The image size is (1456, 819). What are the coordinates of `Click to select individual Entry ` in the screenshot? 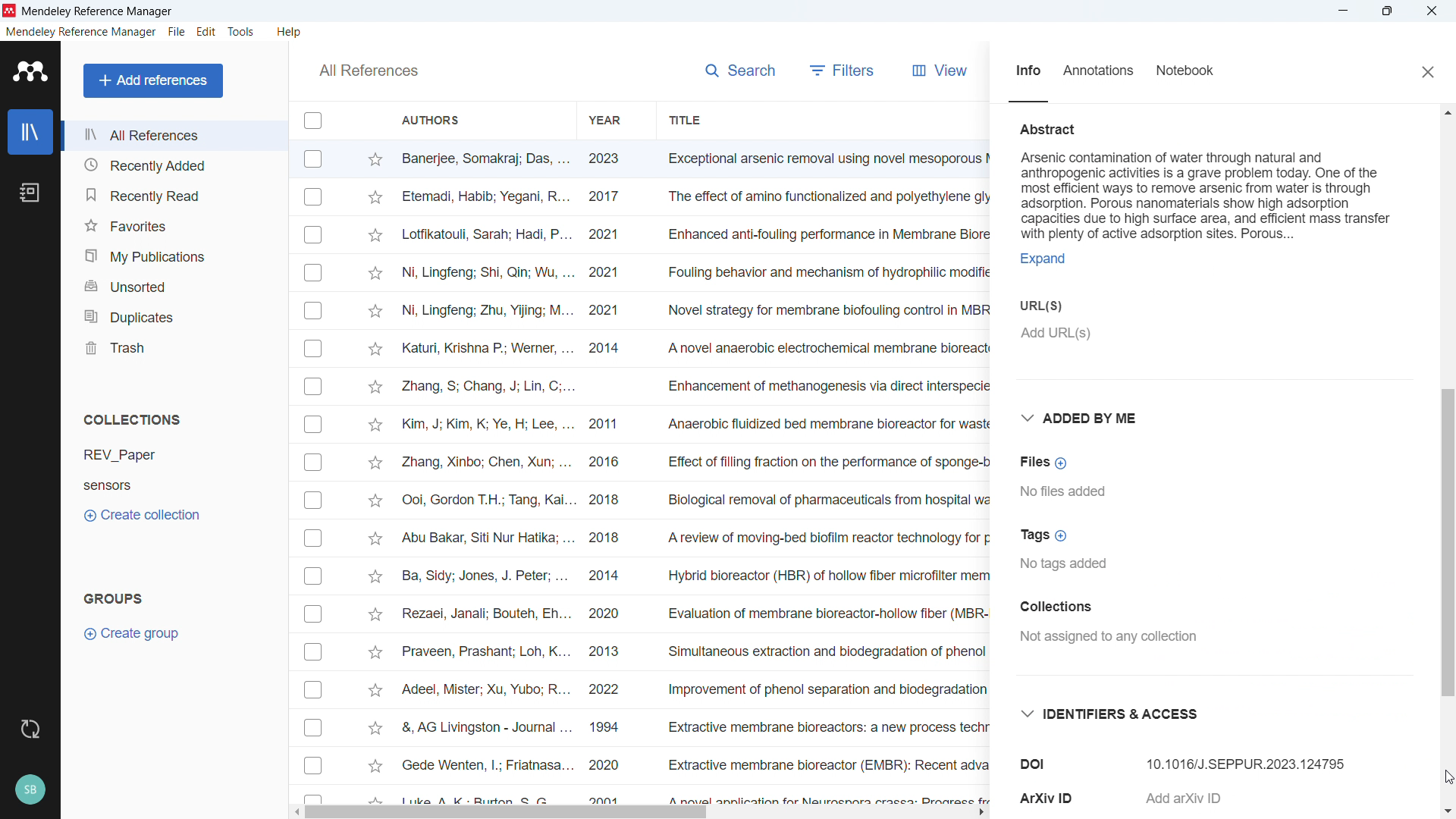 It's located at (314, 158).